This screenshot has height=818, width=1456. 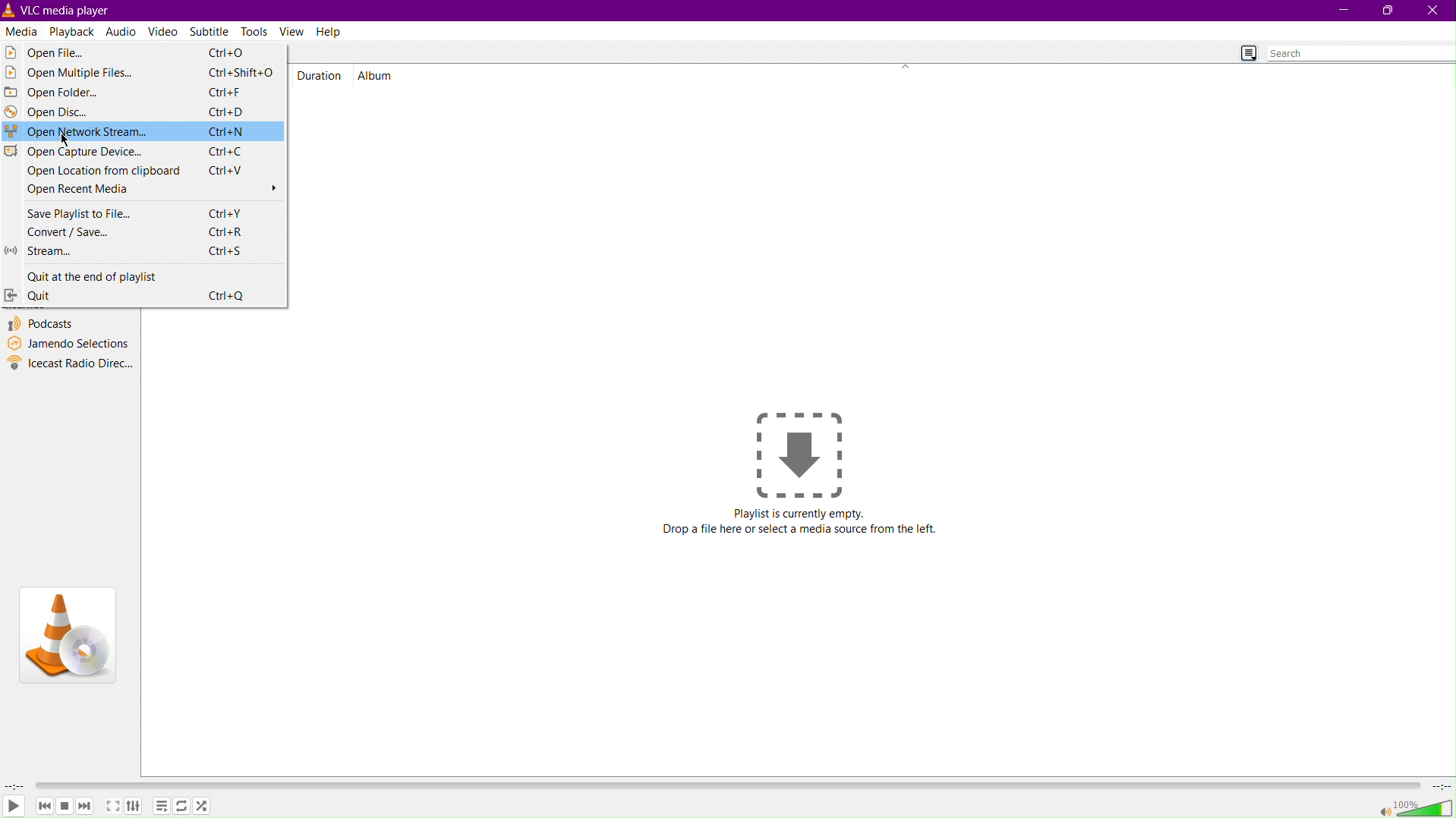 What do you see at coordinates (45, 807) in the screenshot?
I see `Skip Back` at bounding box center [45, 807].